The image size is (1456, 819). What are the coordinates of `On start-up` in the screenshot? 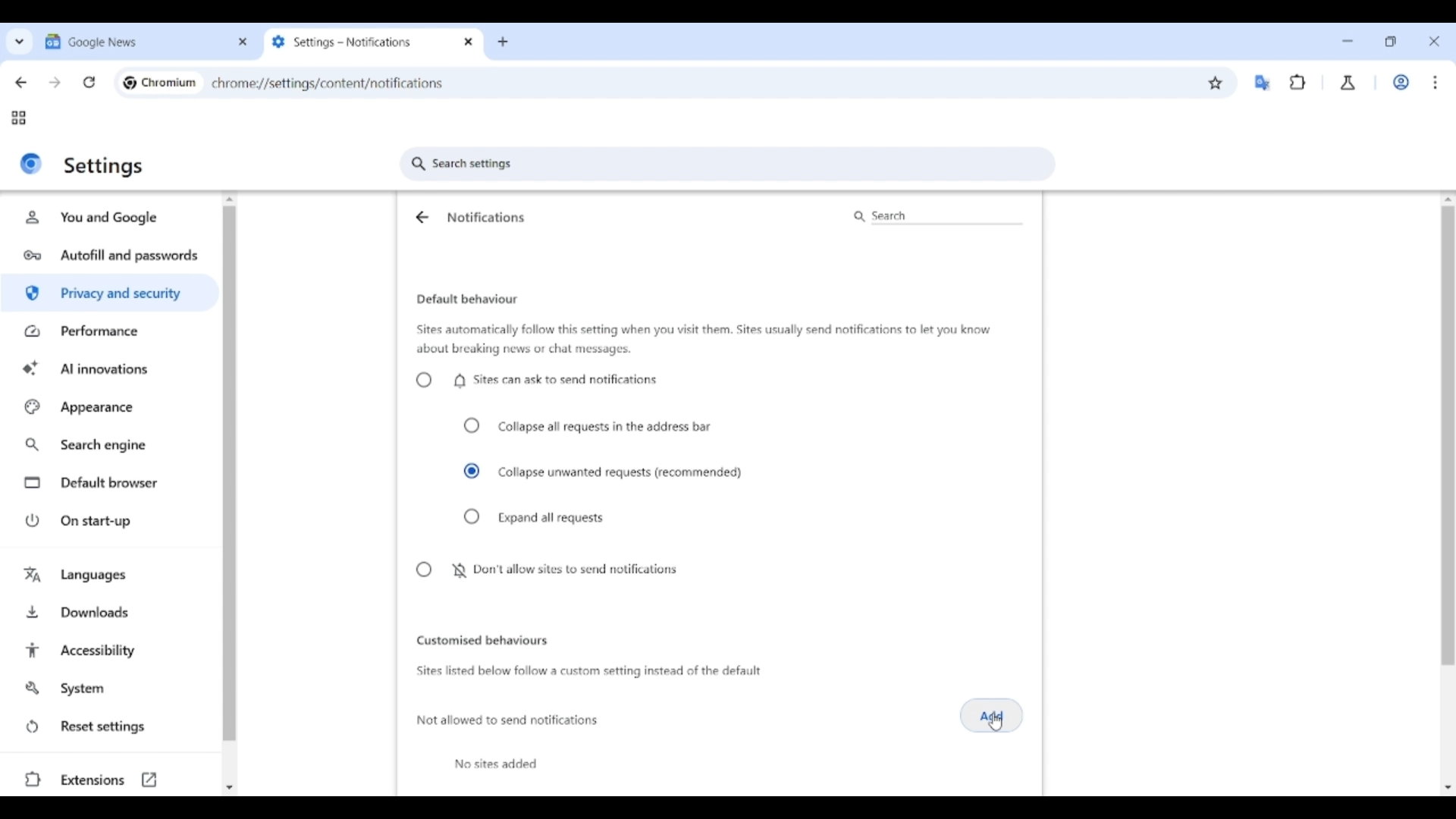 It's located at (112, 520).